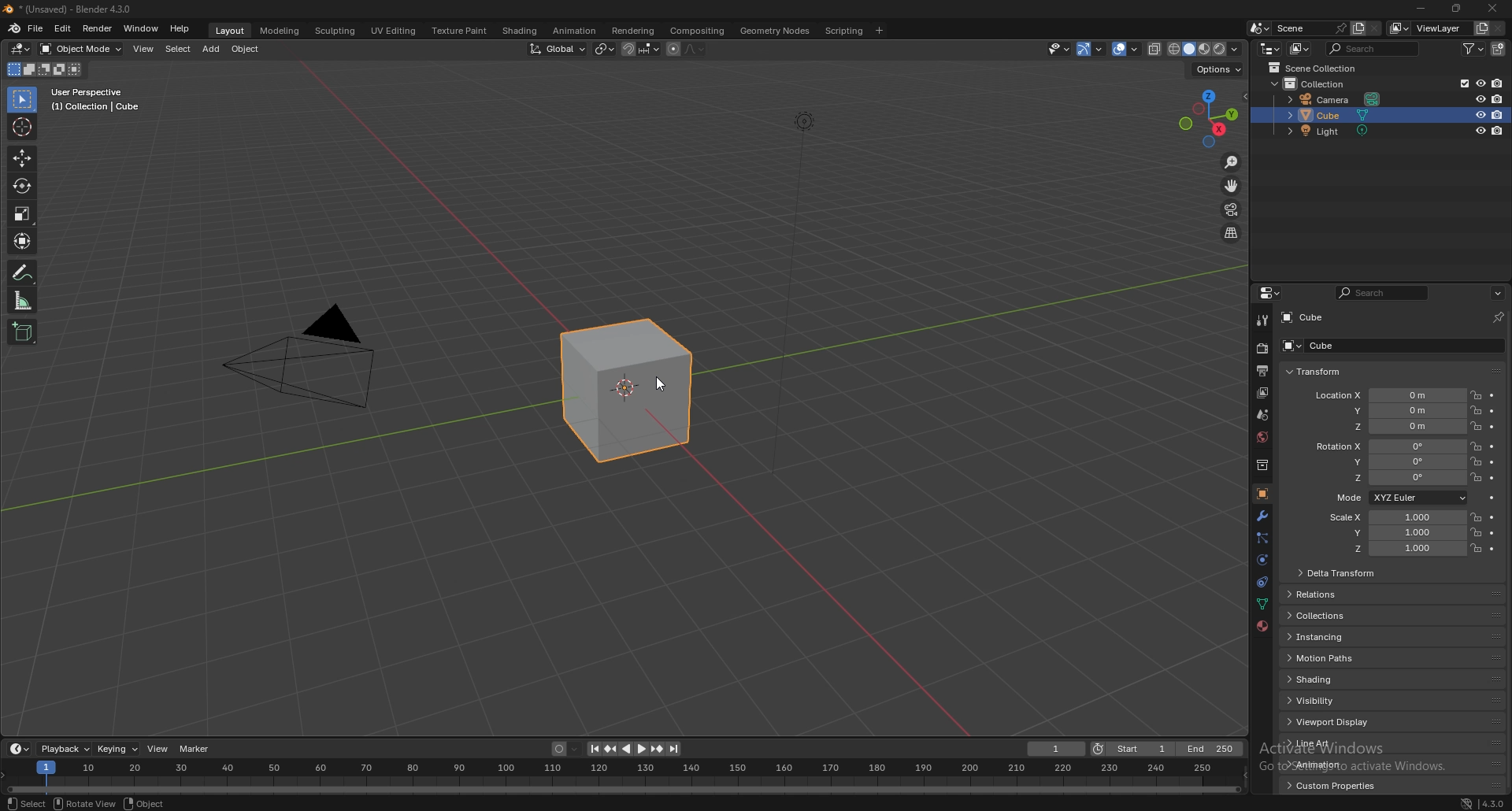 Image resolution: width=1512 pixels, height=811 pixels. Describe the element at coordinates (21, 50) in the screenshot. I see `editor type` at that location.